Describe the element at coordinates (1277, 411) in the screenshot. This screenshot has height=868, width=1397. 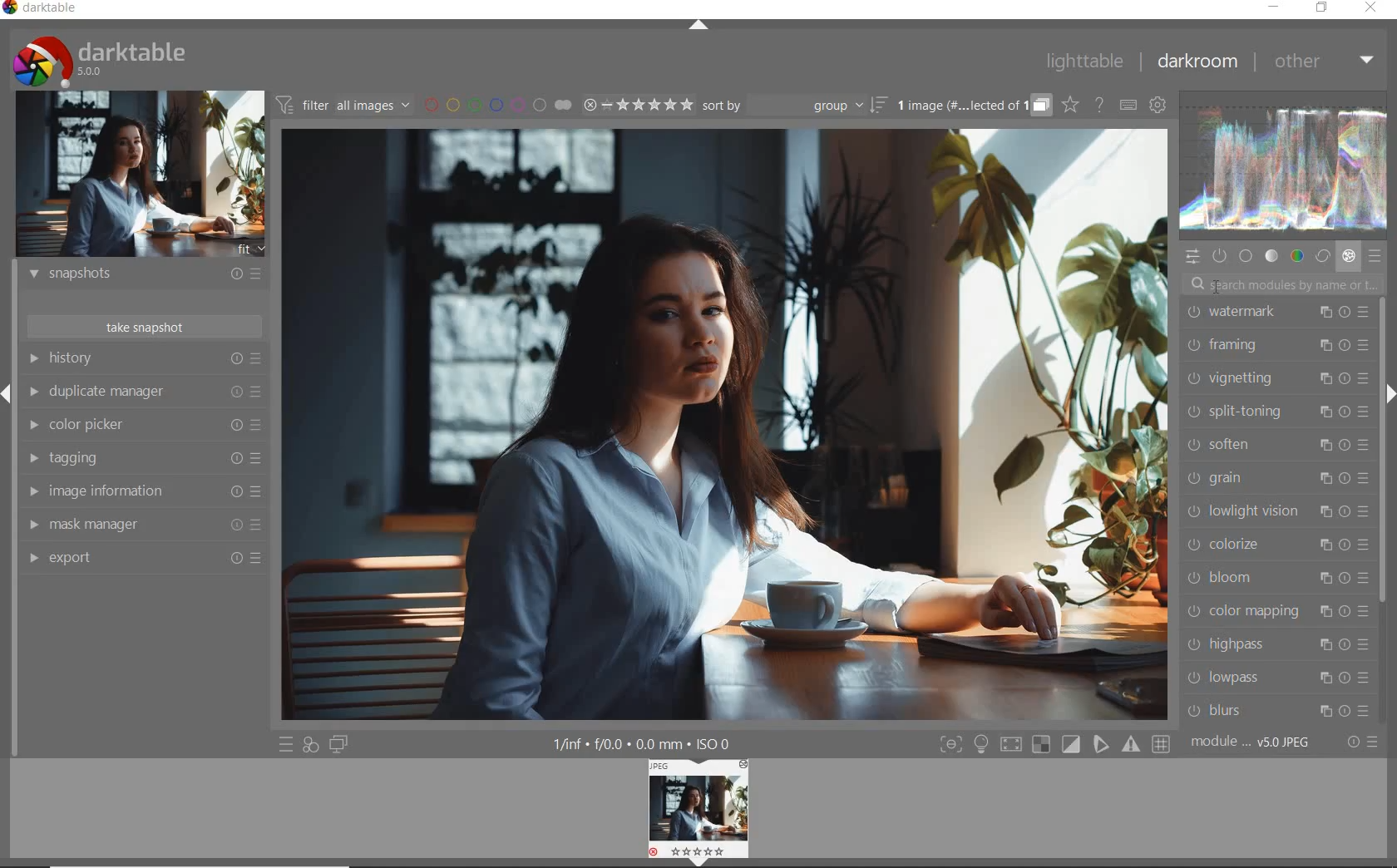
I see `split-toning` at that location.